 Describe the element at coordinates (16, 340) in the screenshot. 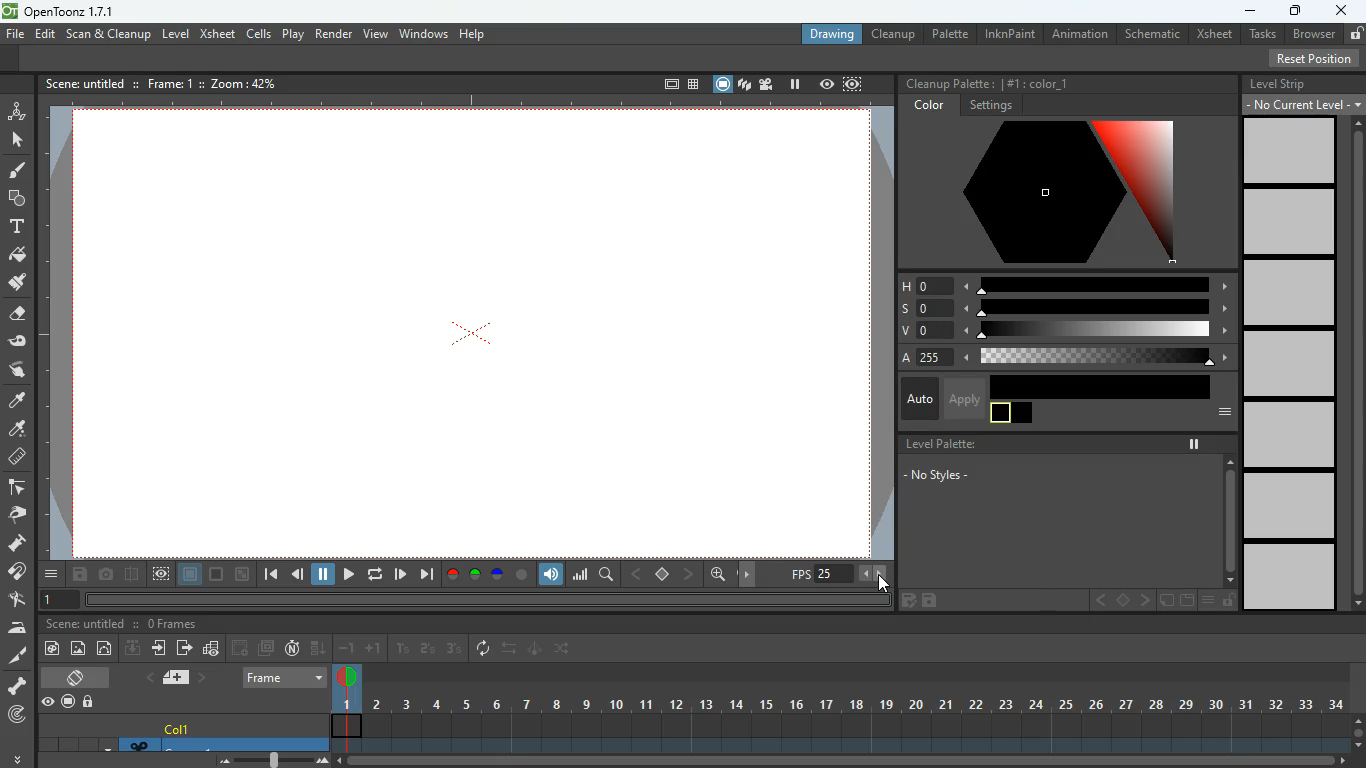

I see `tape` at that location.